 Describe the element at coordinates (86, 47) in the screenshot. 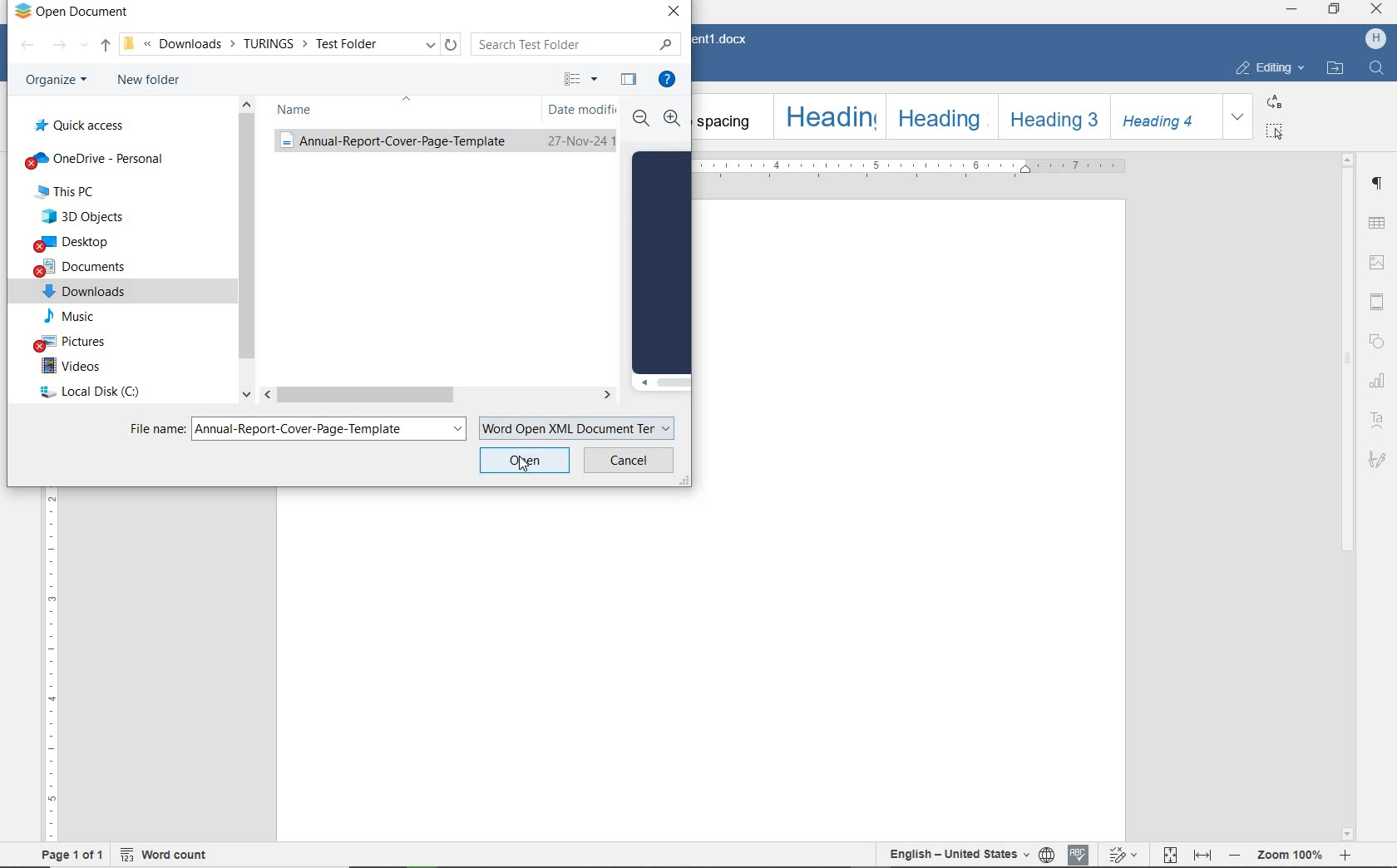

I see `Recent location` at that location.